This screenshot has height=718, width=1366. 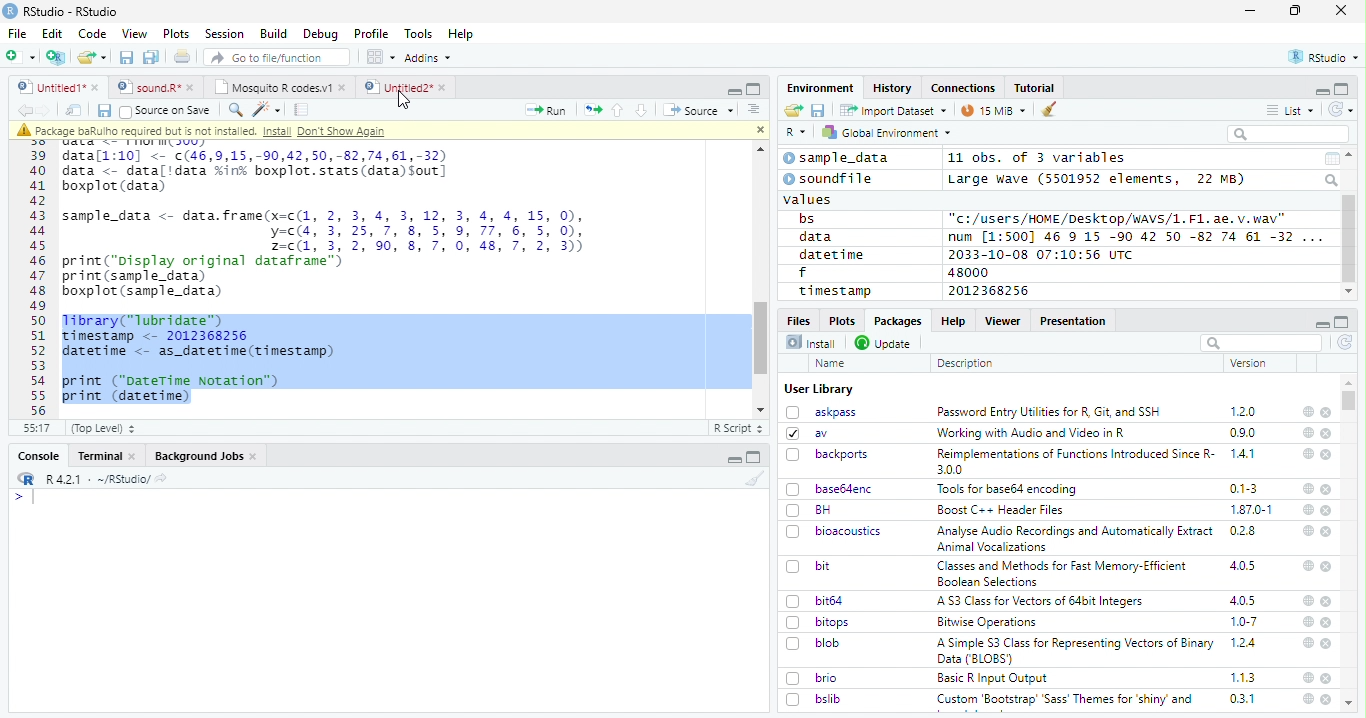 What do you see at coordinates (1348, 292) in the screenshot?
I see `scroll down` at bounding box center [1348, 292].